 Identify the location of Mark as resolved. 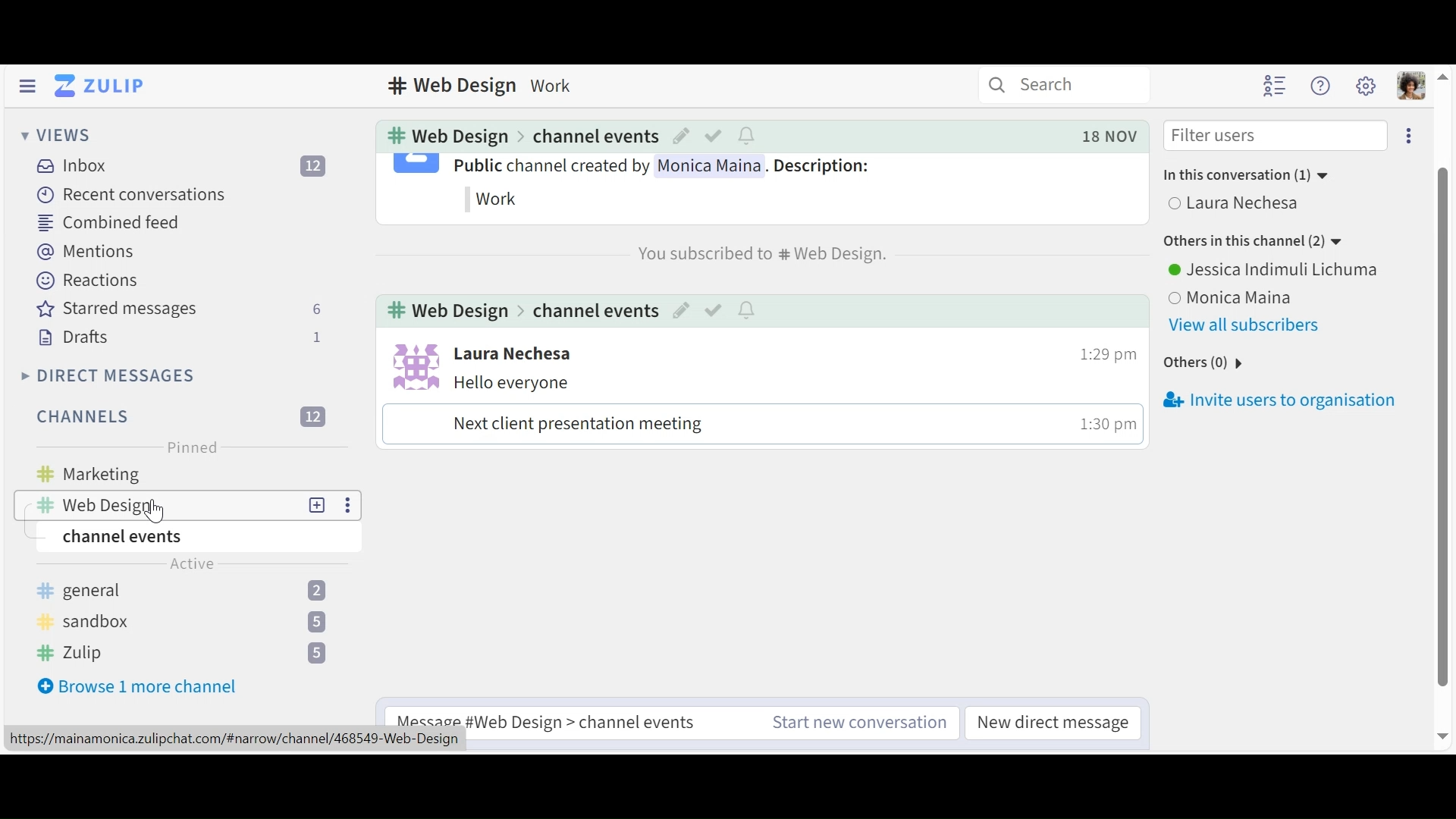
(715, 136).